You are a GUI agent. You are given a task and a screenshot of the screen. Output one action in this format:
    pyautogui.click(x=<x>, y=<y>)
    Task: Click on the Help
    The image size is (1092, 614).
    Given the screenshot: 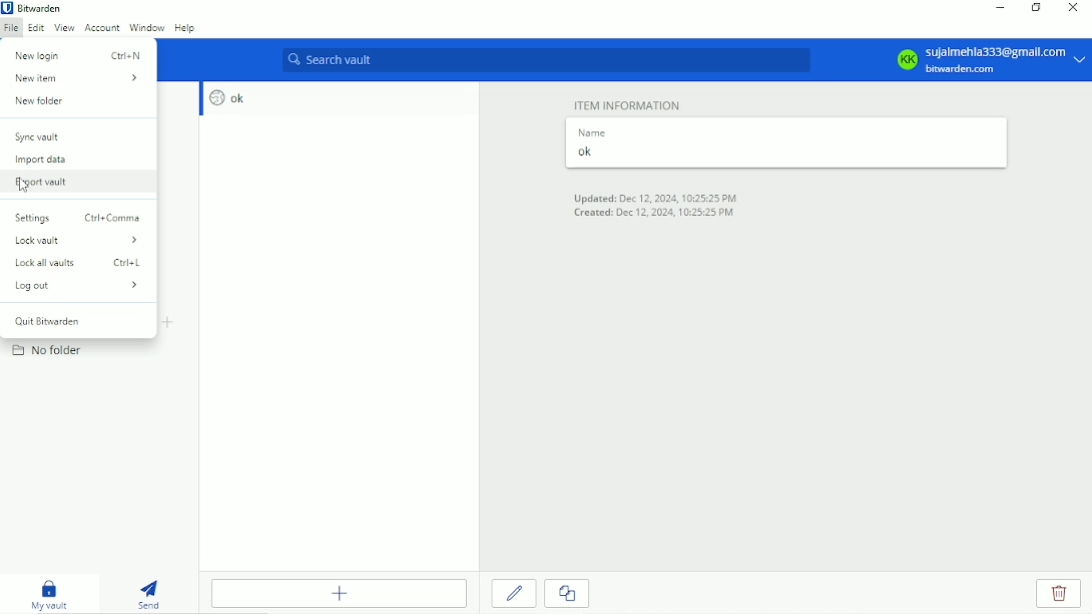 What is the action you would take?
    pyautogui.click(x=186, y=29)
    